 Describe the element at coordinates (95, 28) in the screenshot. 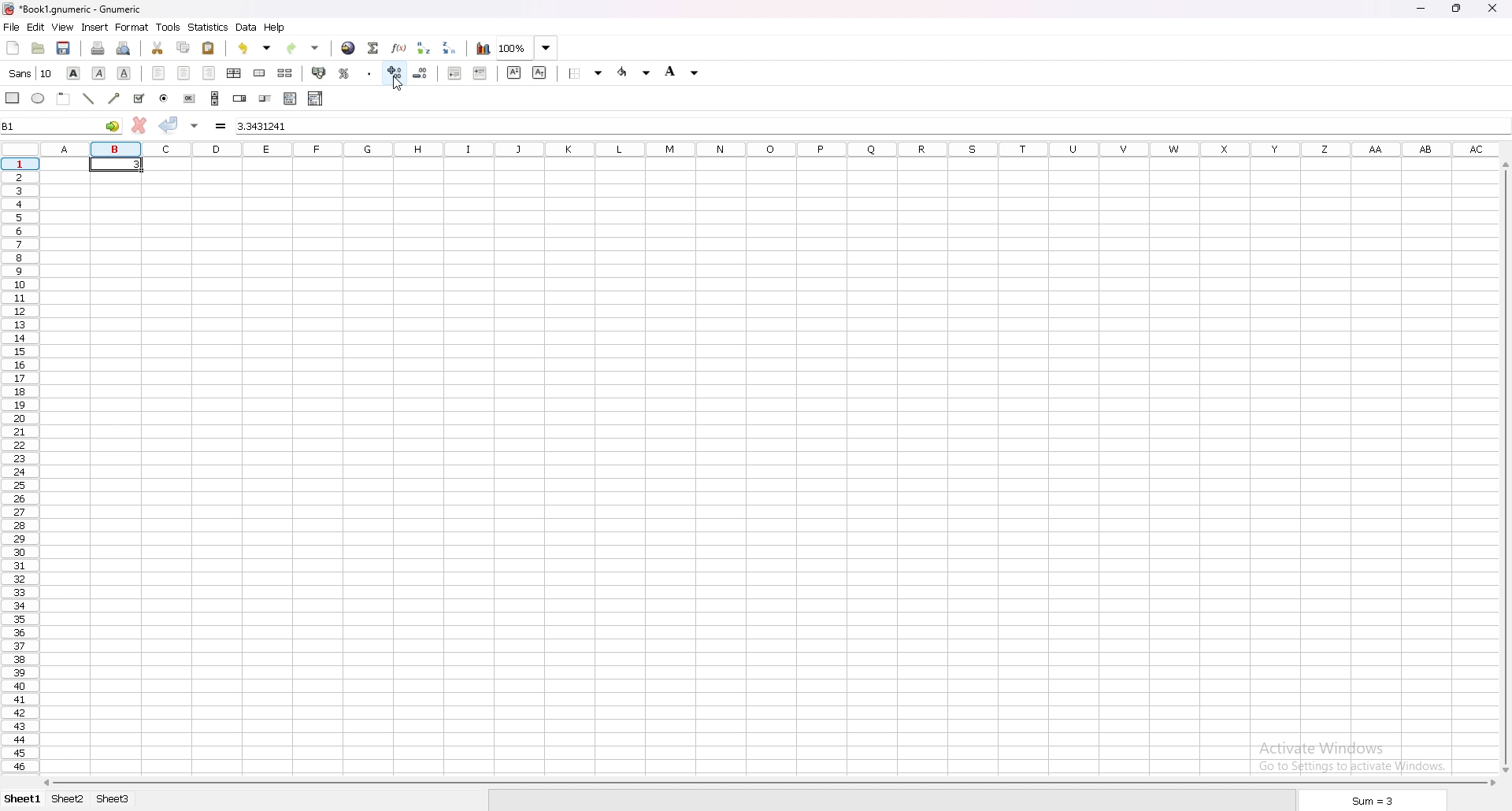

I see `insert` at that location.